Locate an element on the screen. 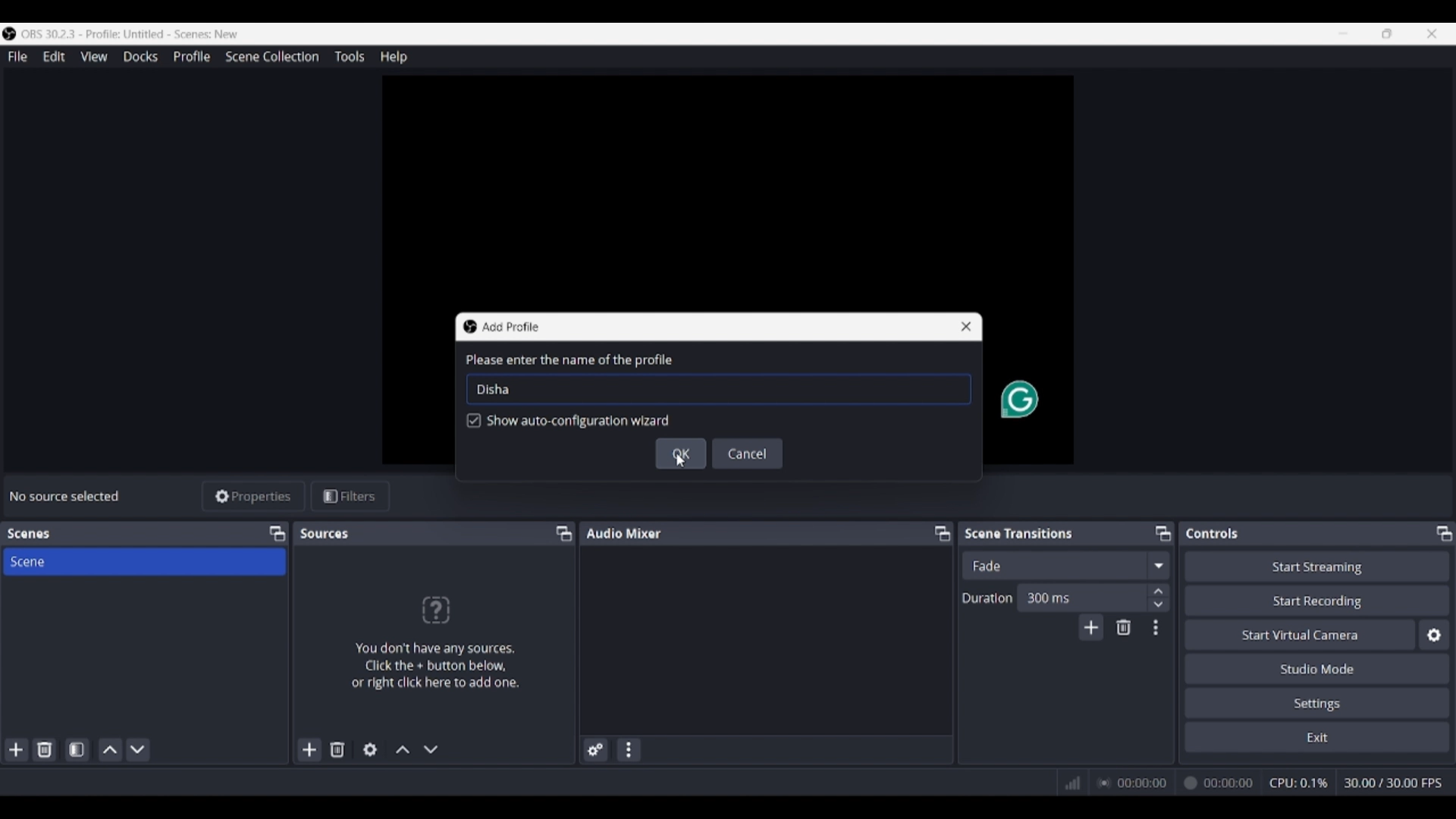 The image size is (1456, 819). Cancel is located at coordinates (748, 453).